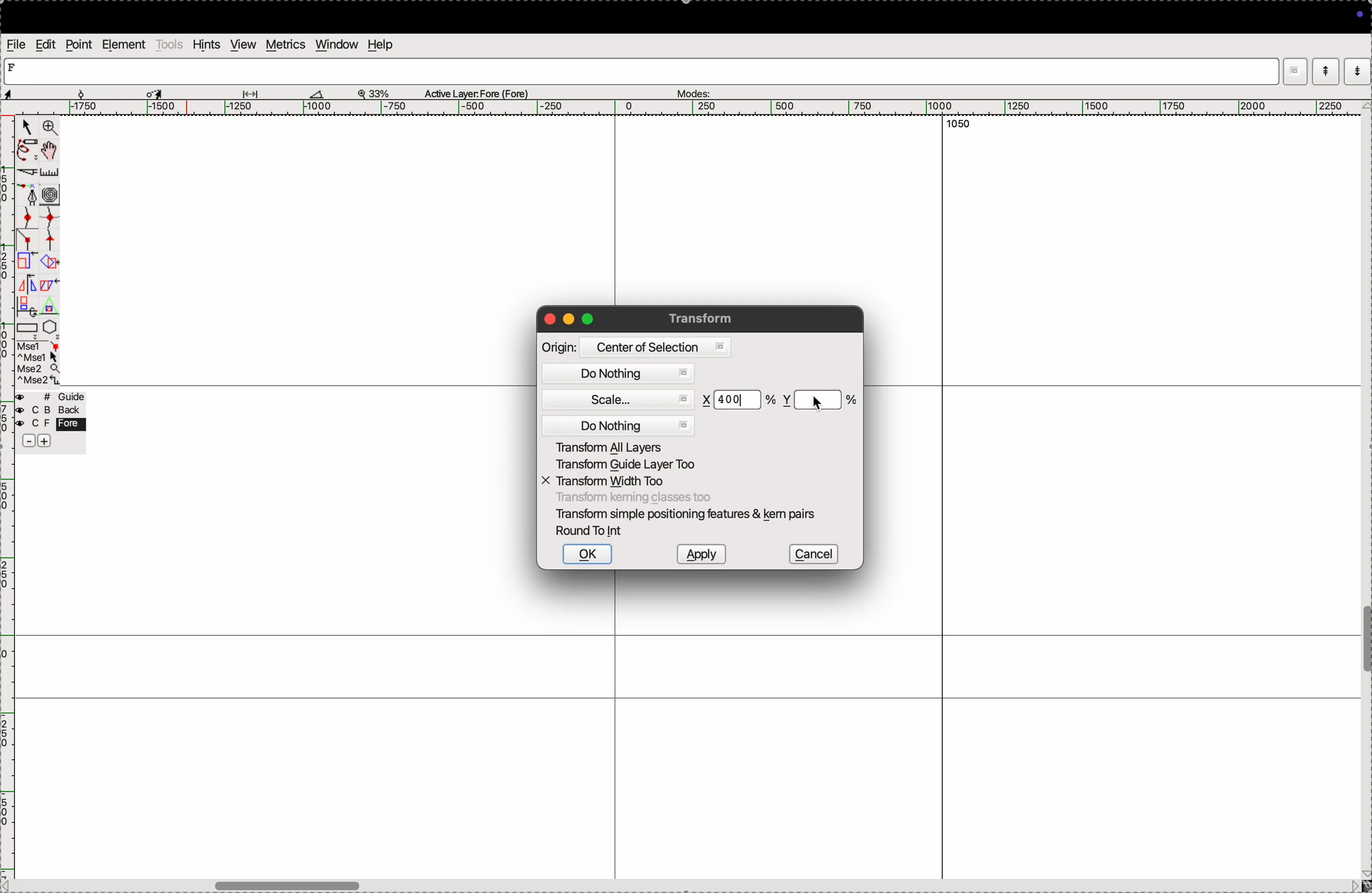 The image size is (1372, 893). Describe the element at coordinates (39, 363) in the screenshot. I see `mse ` at that location.